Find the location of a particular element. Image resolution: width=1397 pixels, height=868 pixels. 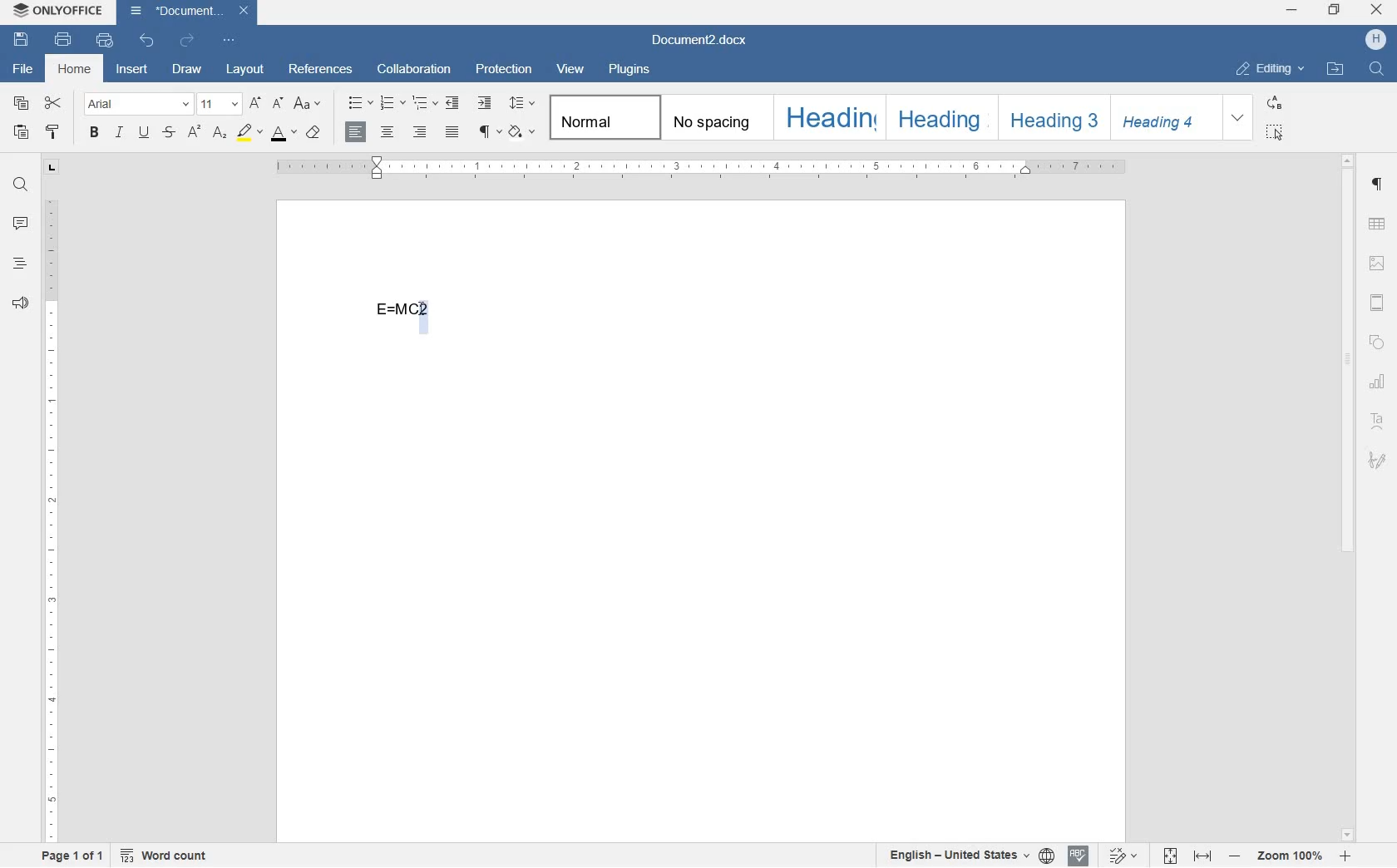

paragraph settings is located at coordinates (1380, 185).